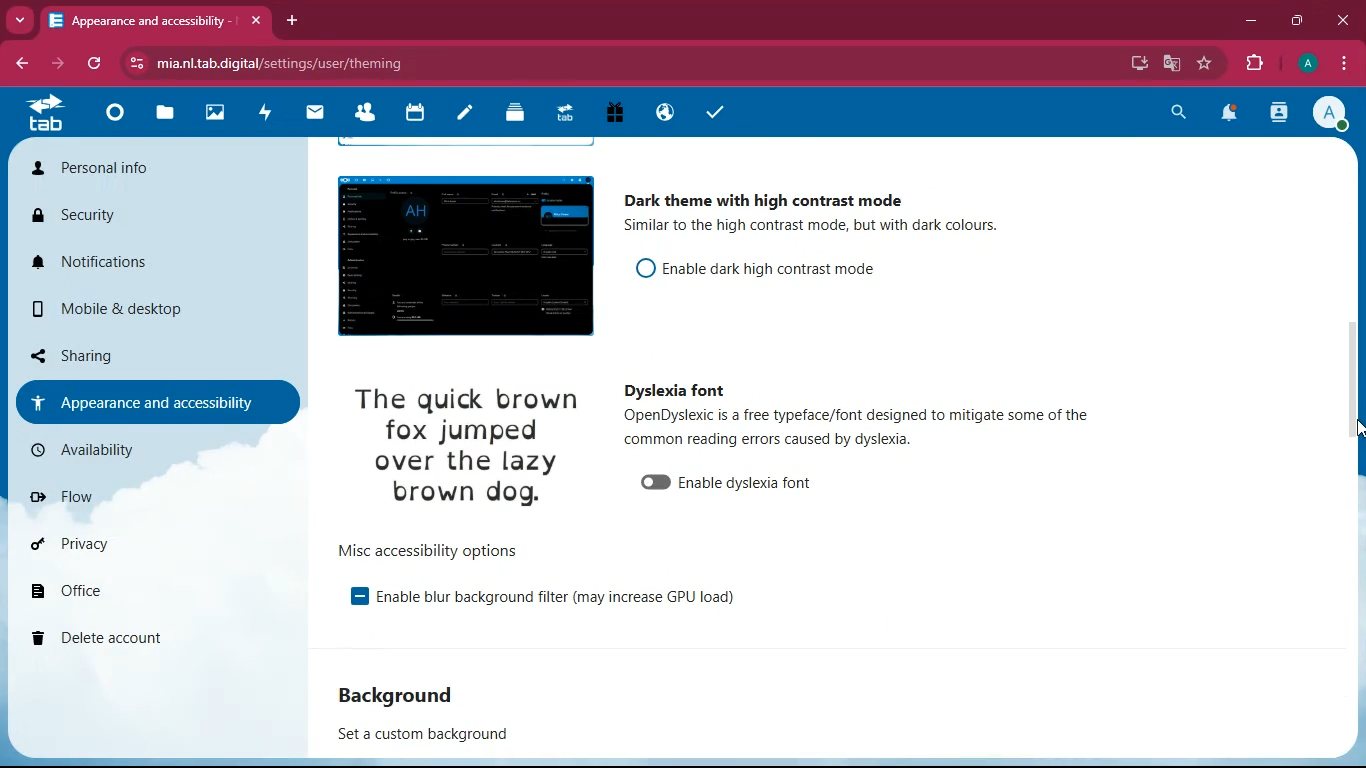  What do you see at coordinates (144, 354) in the screenshot?
I see `sharing` at bounding box center [144, 354].